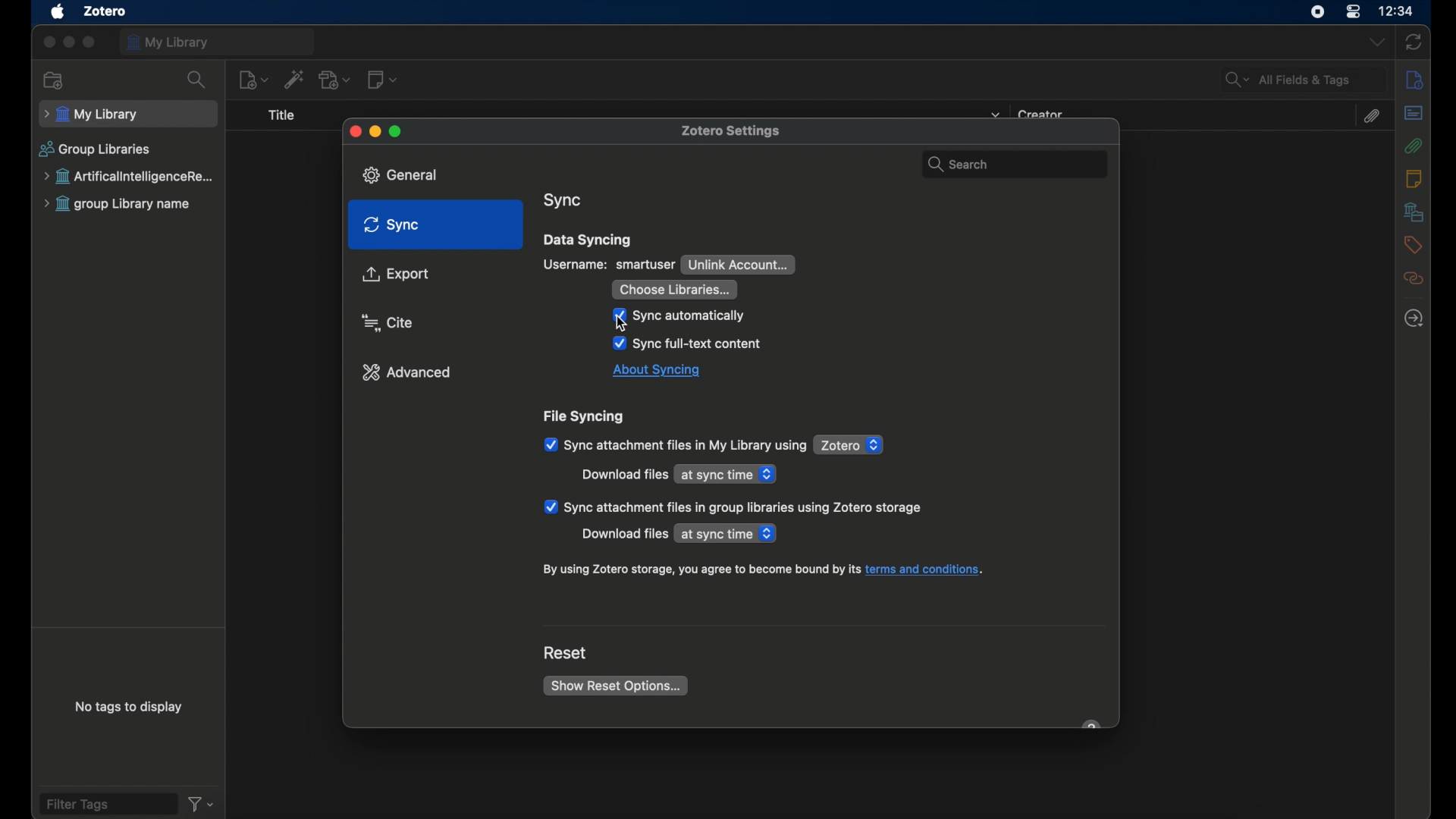  Describe the element at coordinates (200, 804) in the screenshot. I see `filter` at that location.